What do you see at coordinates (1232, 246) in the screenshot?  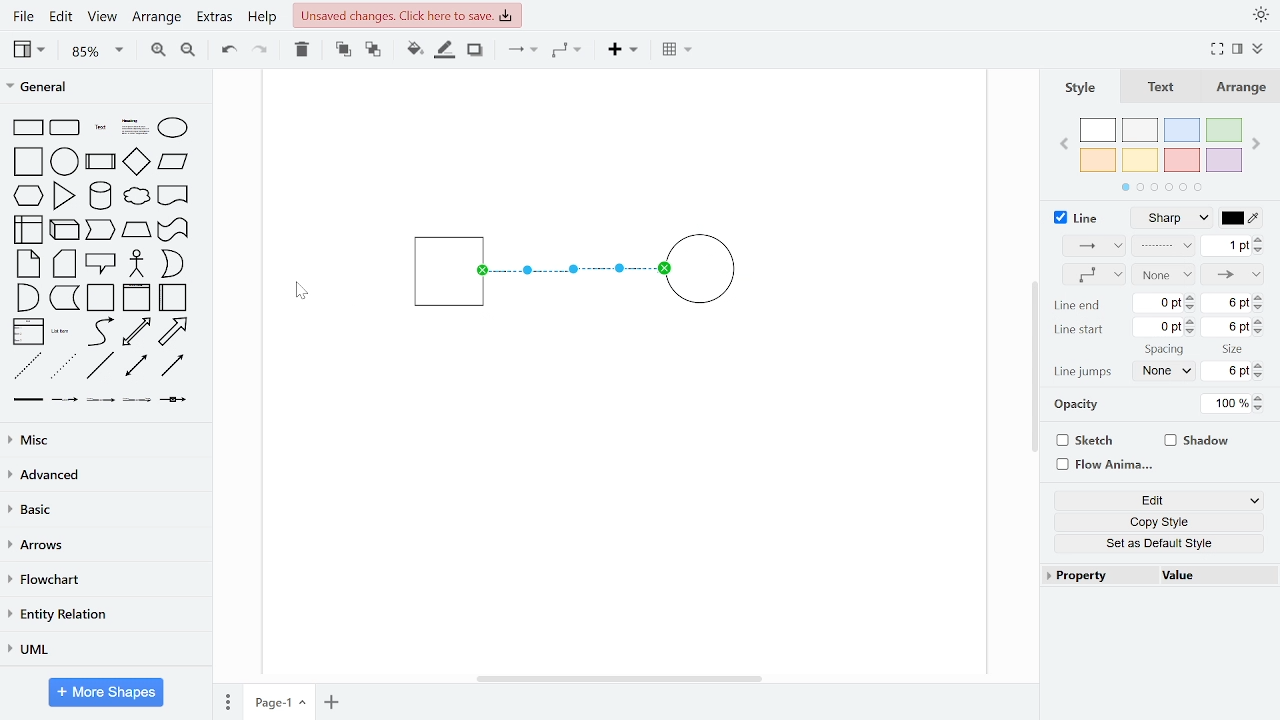 I see `change line width` at bounding box center [1232, 246].